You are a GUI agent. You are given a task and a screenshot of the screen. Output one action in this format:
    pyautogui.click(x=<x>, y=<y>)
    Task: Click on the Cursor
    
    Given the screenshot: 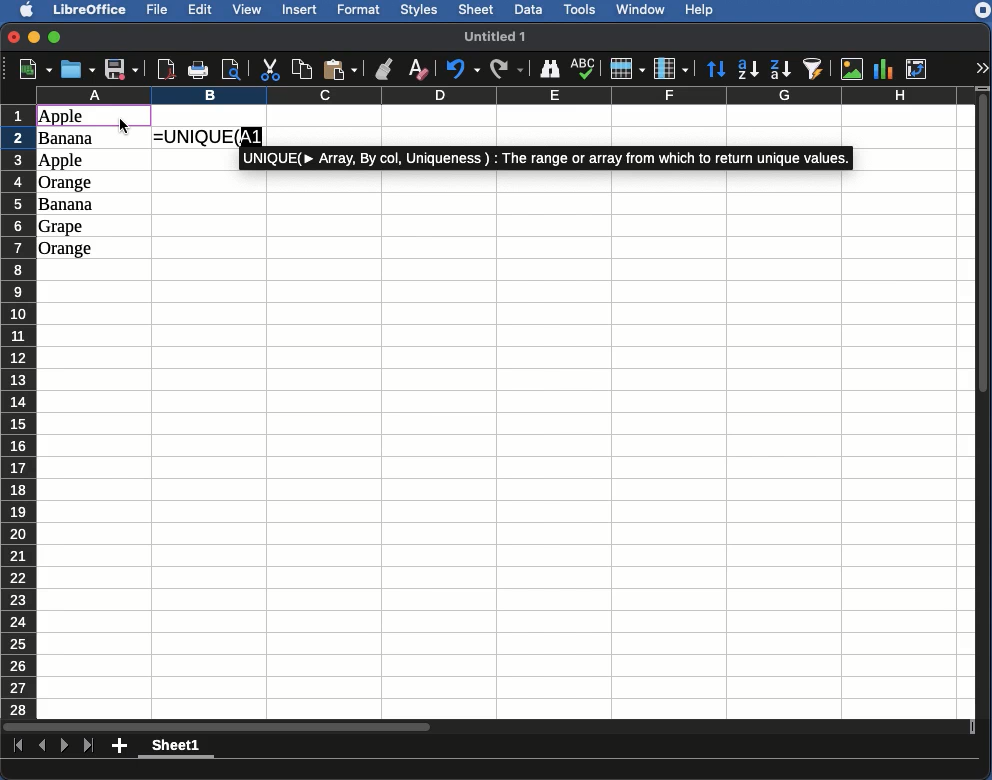 What is the action you would take?
    pyautogui.click(x=124, y=126)
    